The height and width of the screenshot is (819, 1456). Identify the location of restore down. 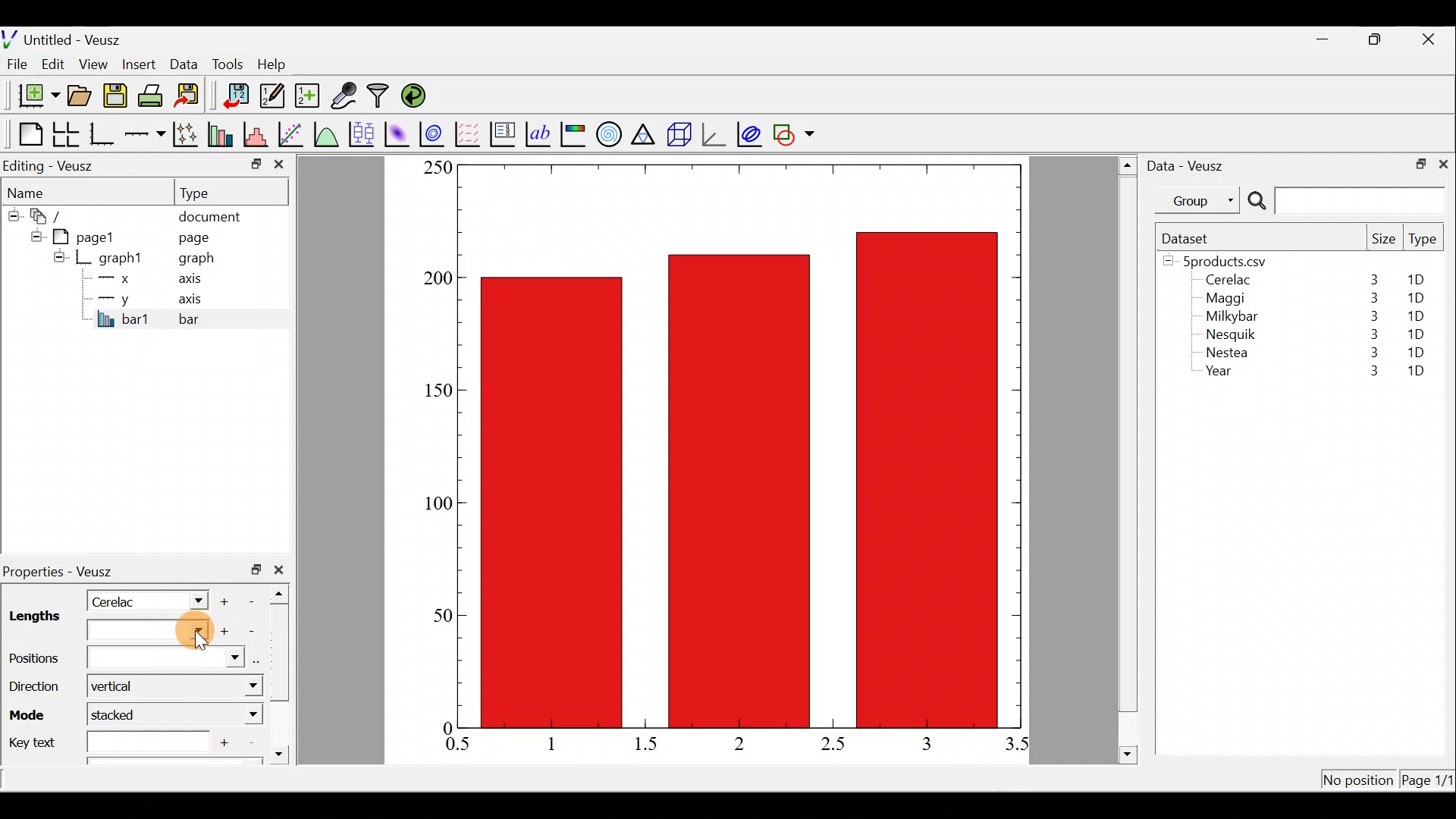
(1377, 39).